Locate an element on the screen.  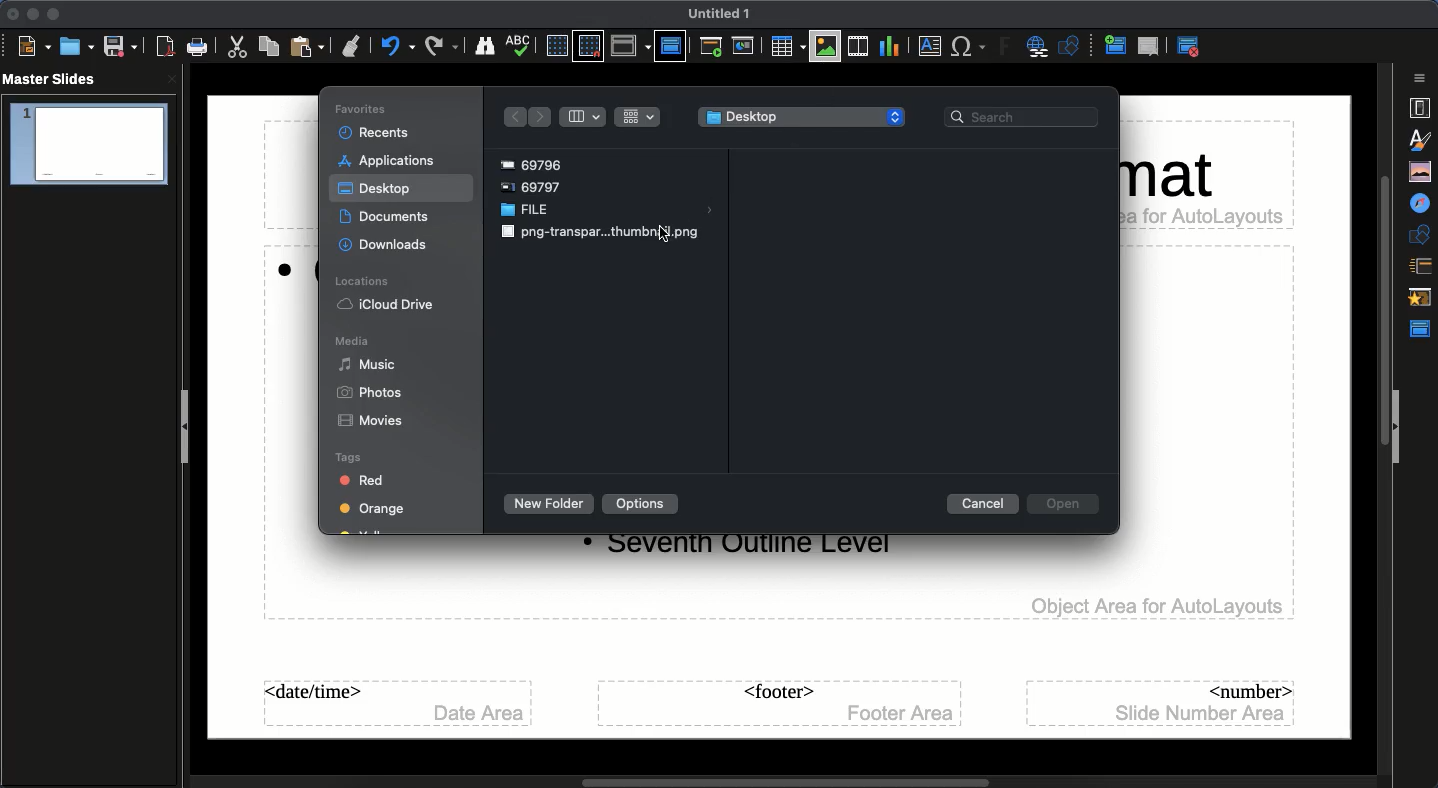
Delete master is located at coordinates (1149, 46).